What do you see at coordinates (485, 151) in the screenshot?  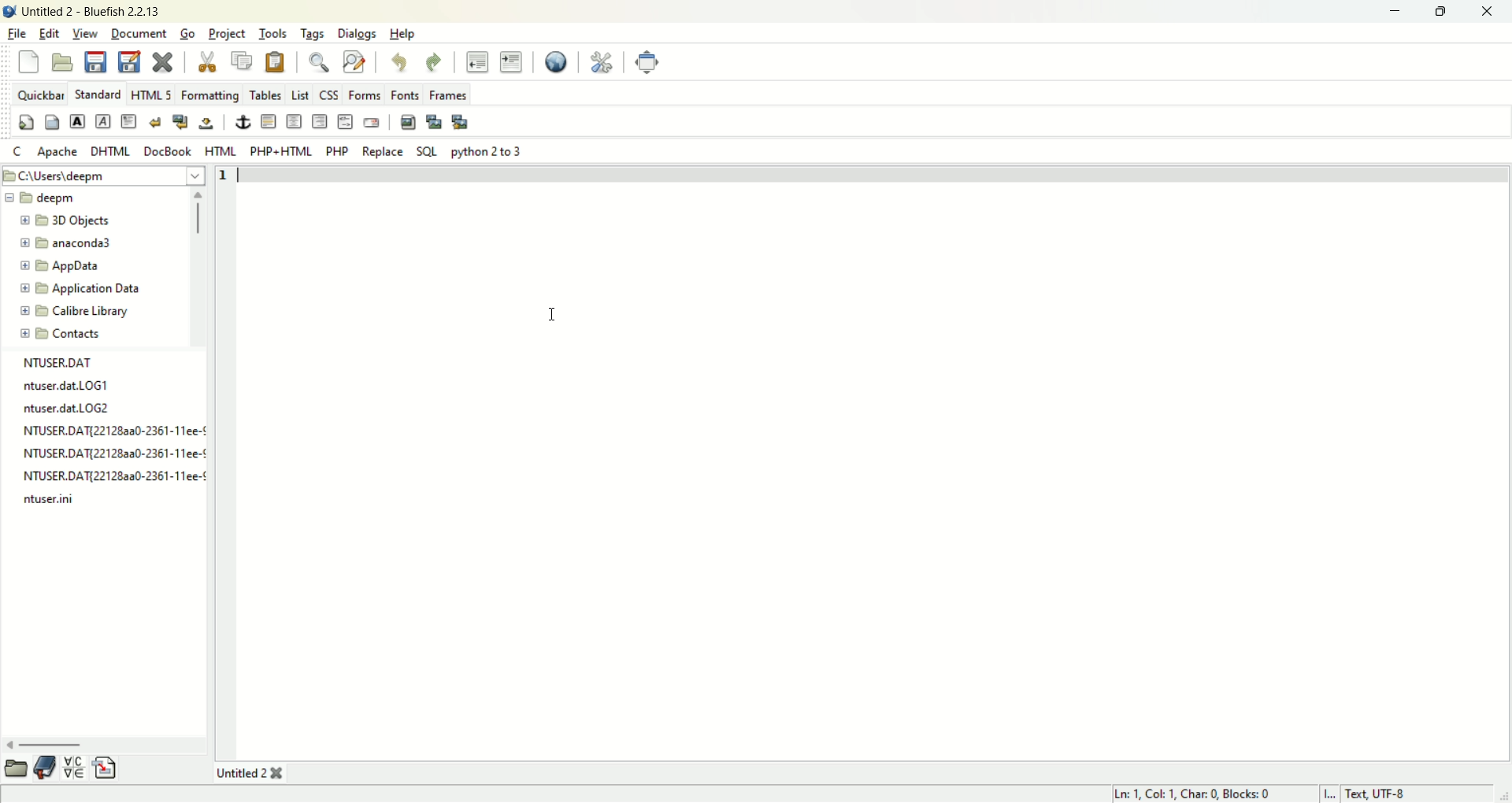 I see `PYTHON 2 TO 3` at bounding box center [485, 151].